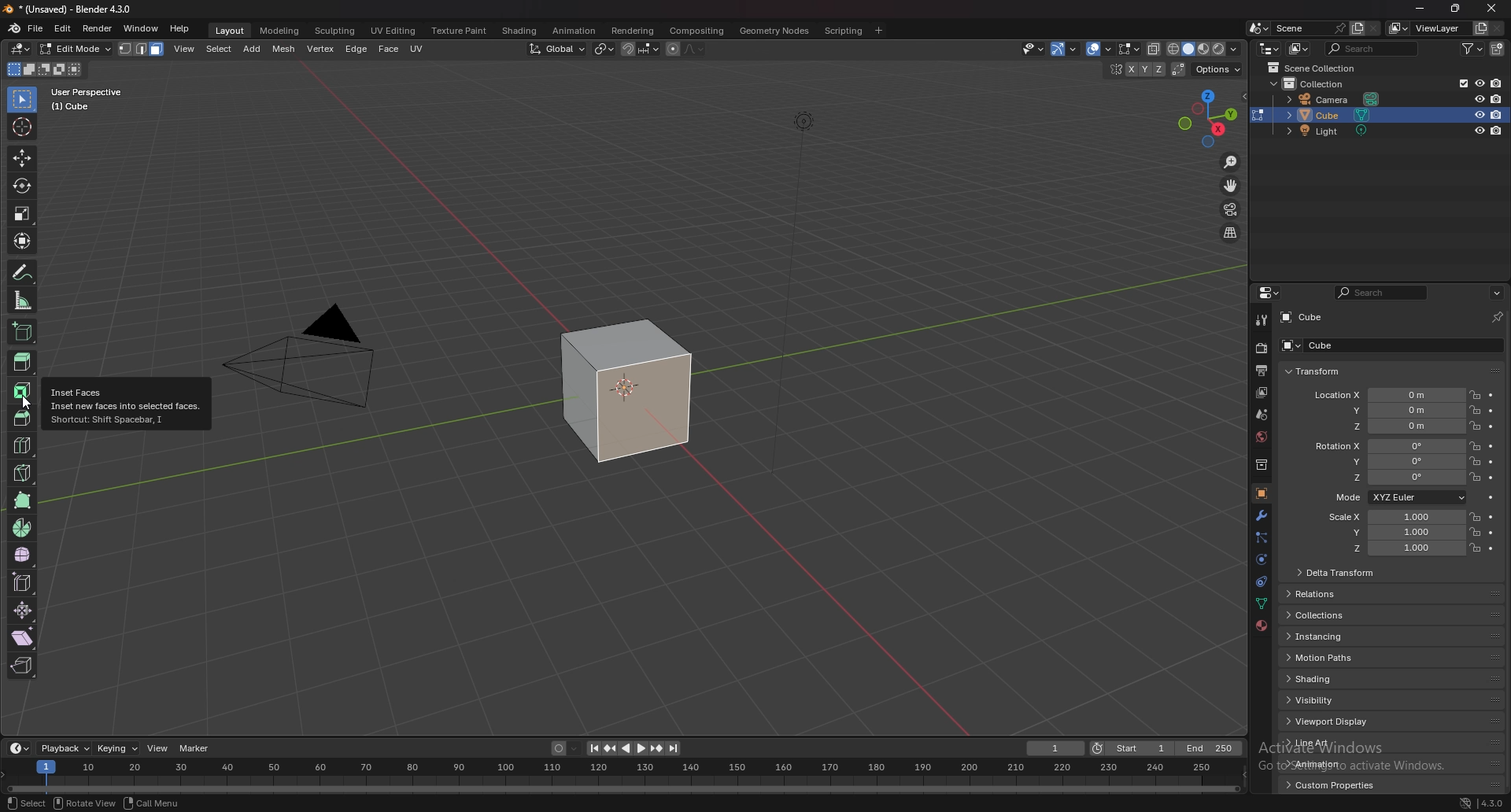  What do you see at coordinates (320, 49) in the screenshot?
I see `vertex` at bounding box center [320, 49].